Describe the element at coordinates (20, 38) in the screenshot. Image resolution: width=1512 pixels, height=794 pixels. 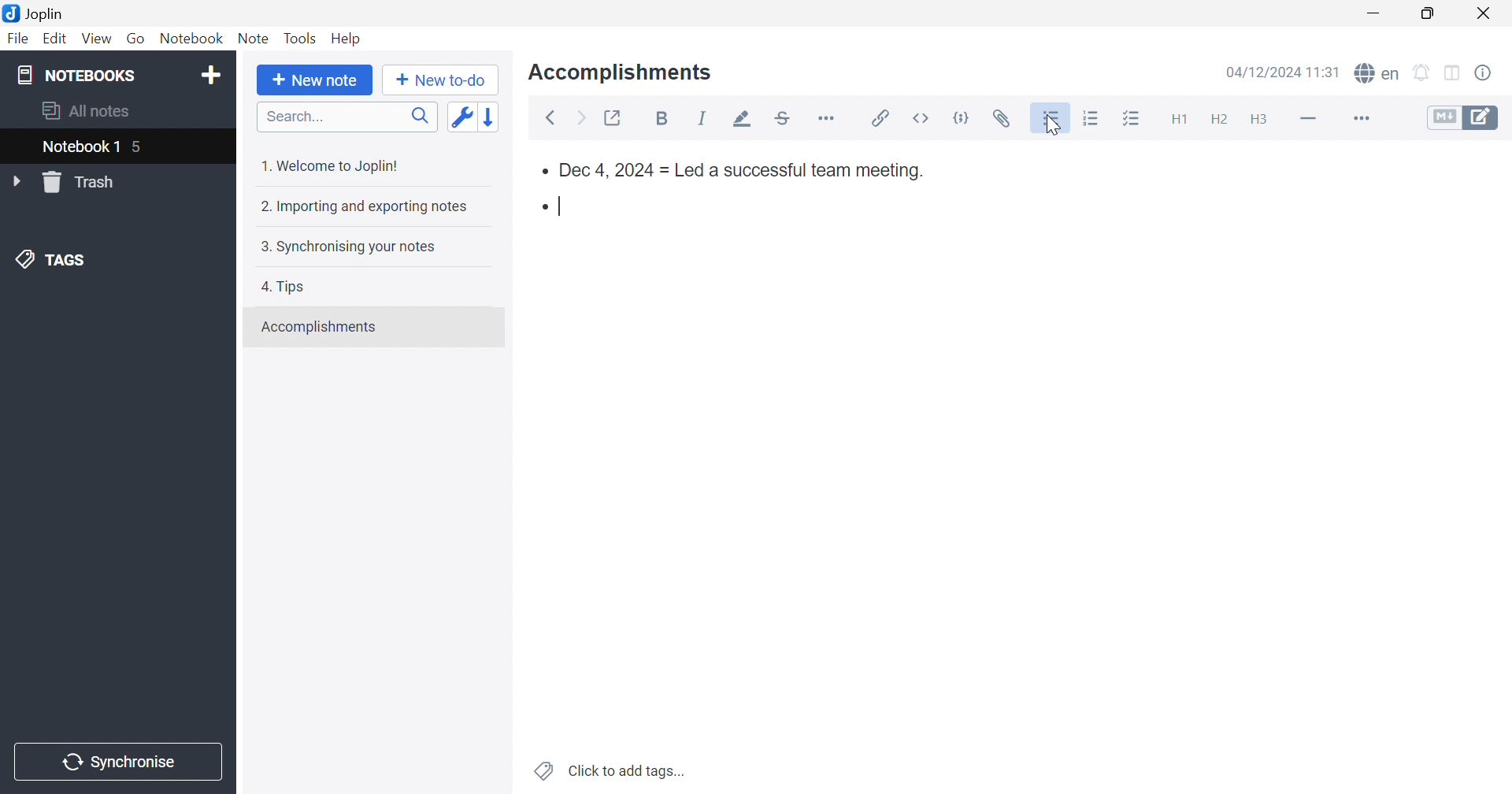
I see `File` at that location.